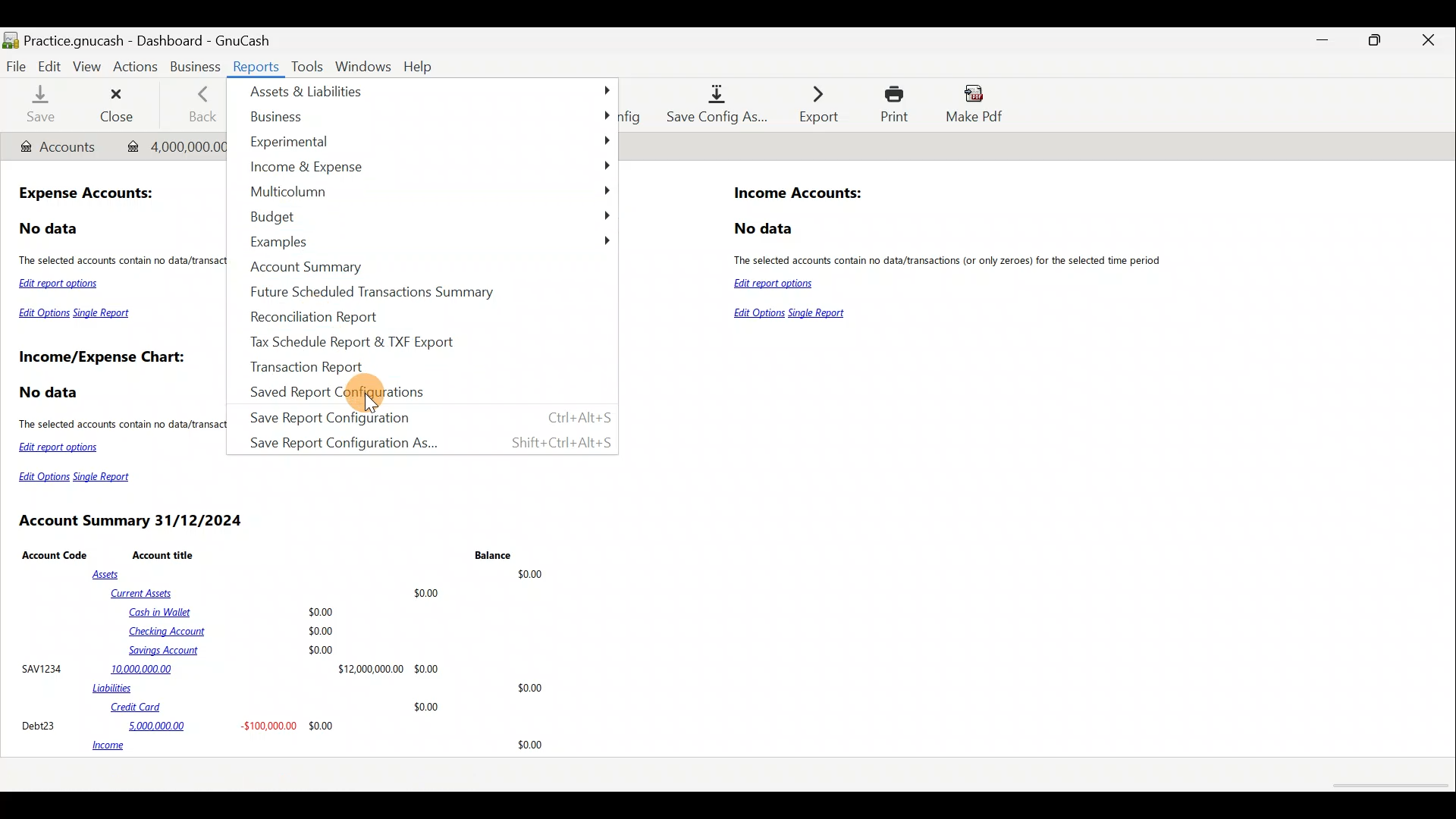 This screenshot has width=1456, height=819. Describe the element at coordinates (317, 746) in the screenshot. I see `income 30.00` at that location.